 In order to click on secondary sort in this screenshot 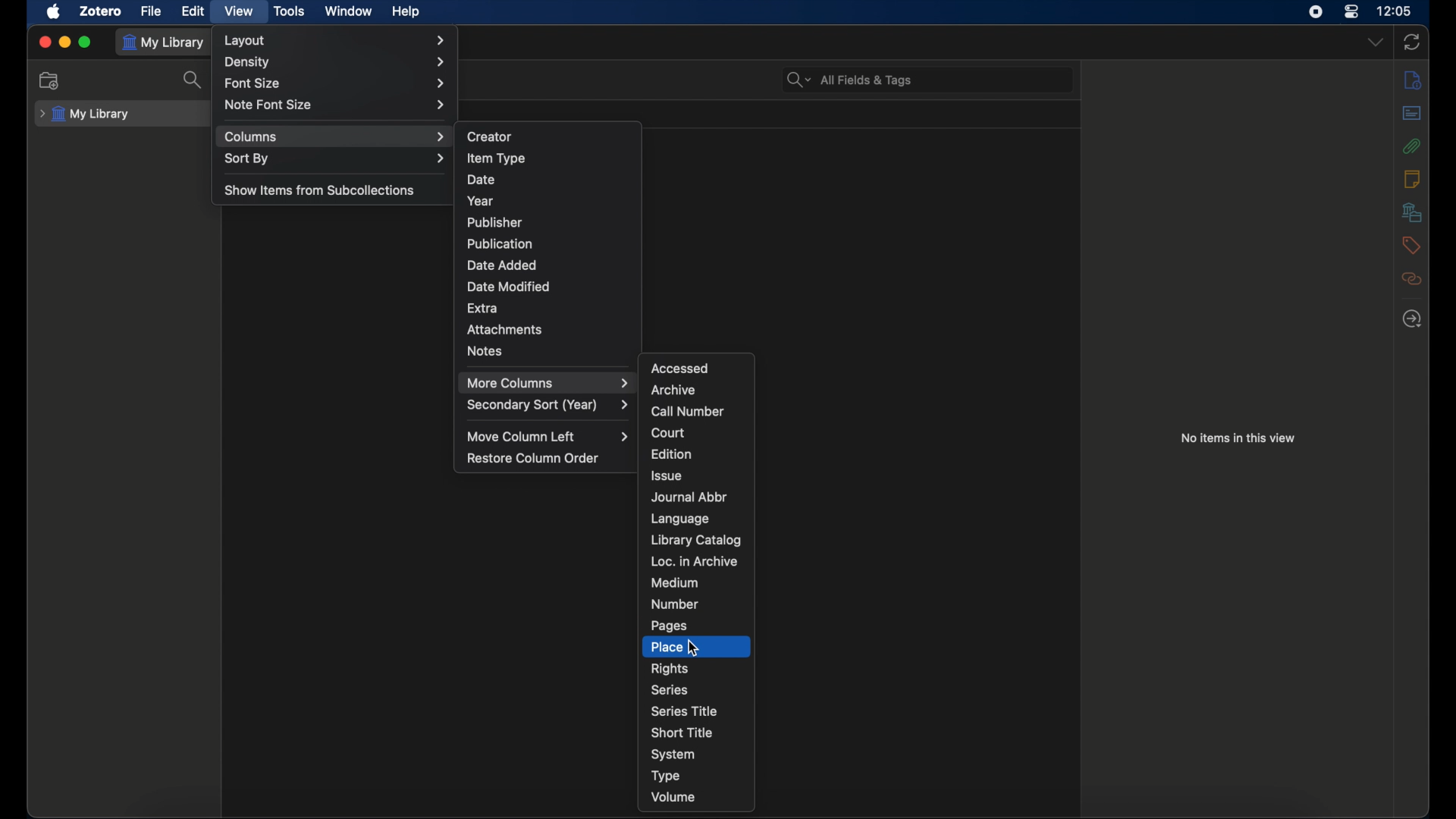, I will do `click(549, 405)`.